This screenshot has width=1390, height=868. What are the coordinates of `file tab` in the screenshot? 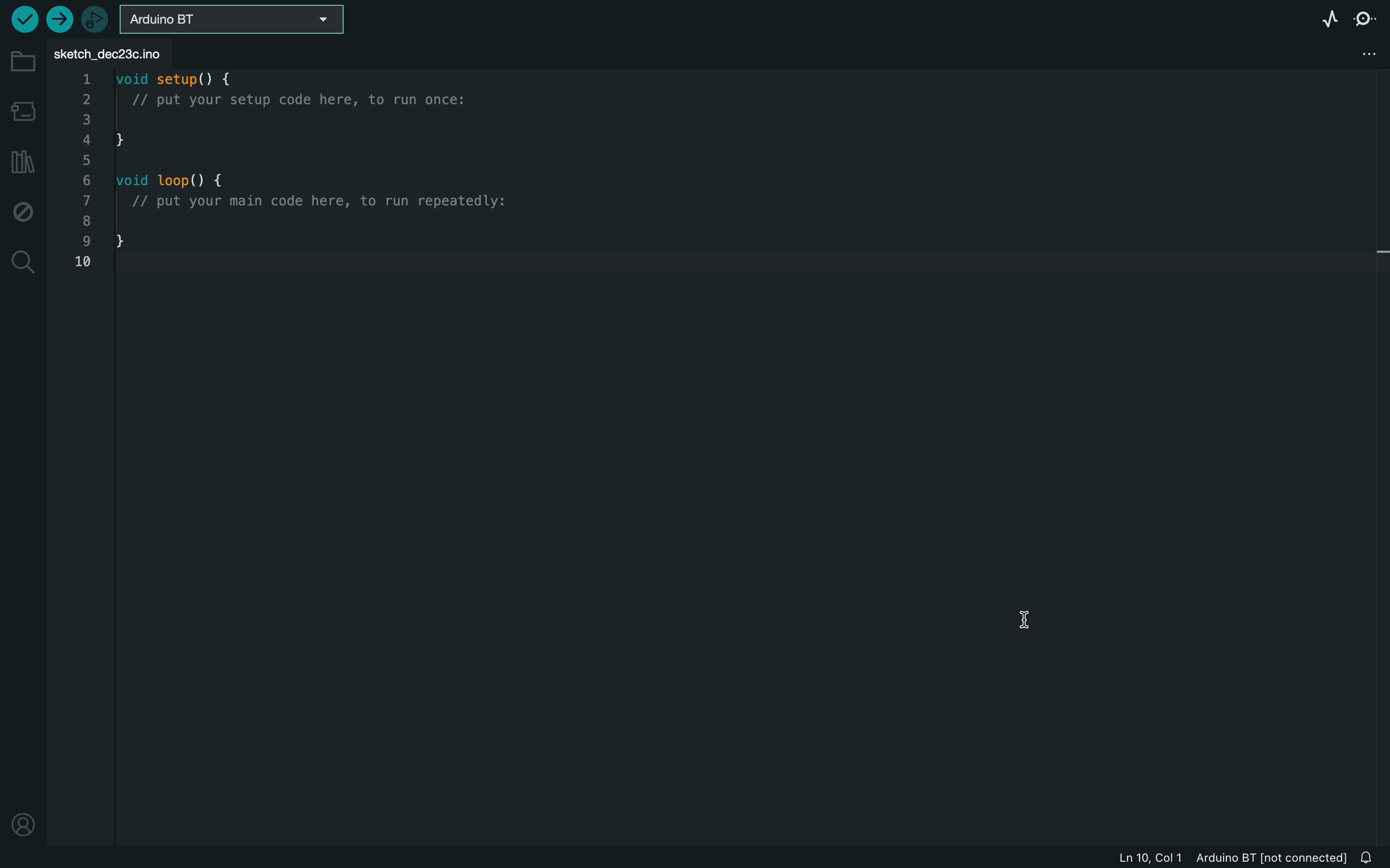 It's located at (122, 52).